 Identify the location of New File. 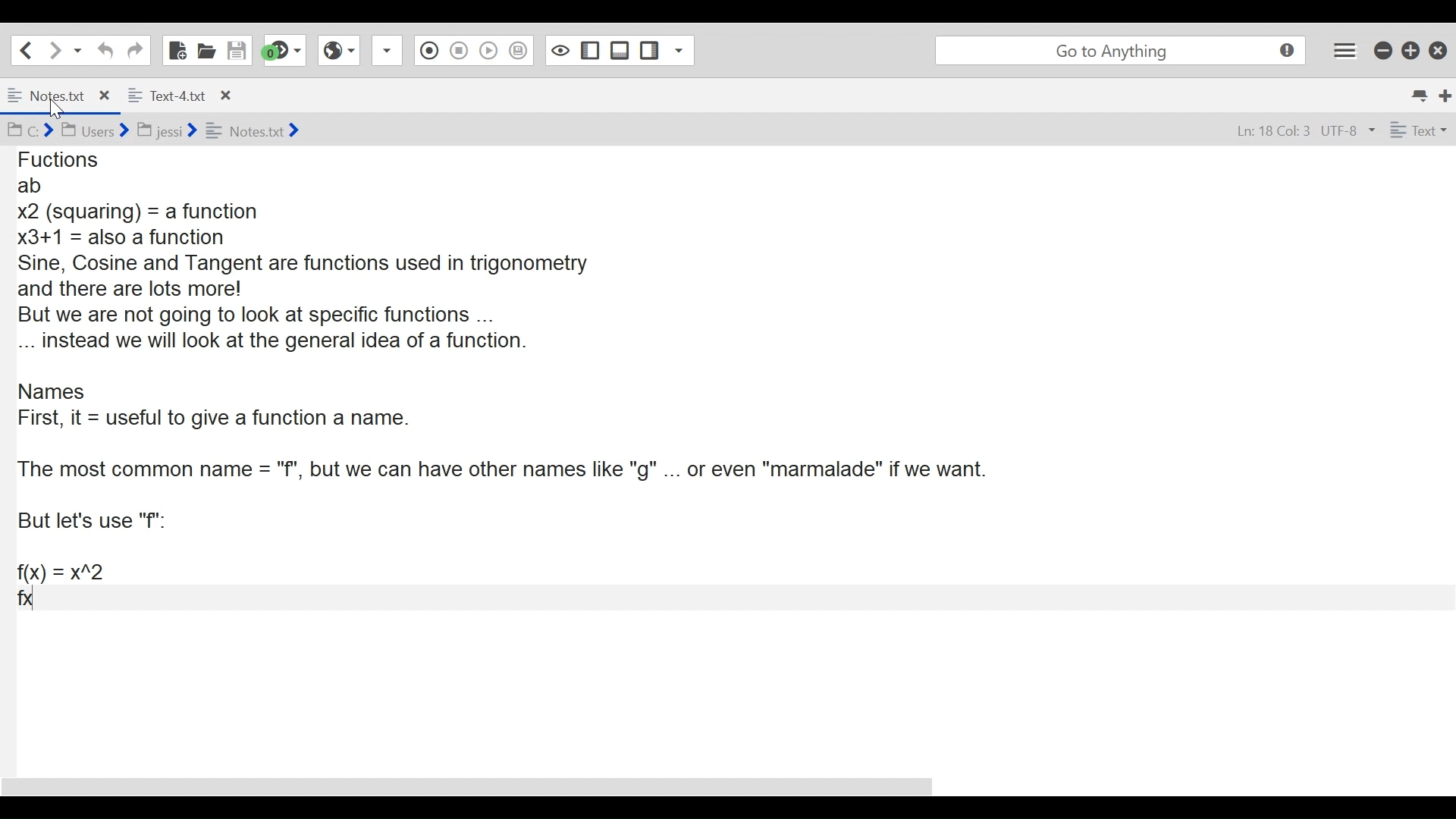
(175, 49).